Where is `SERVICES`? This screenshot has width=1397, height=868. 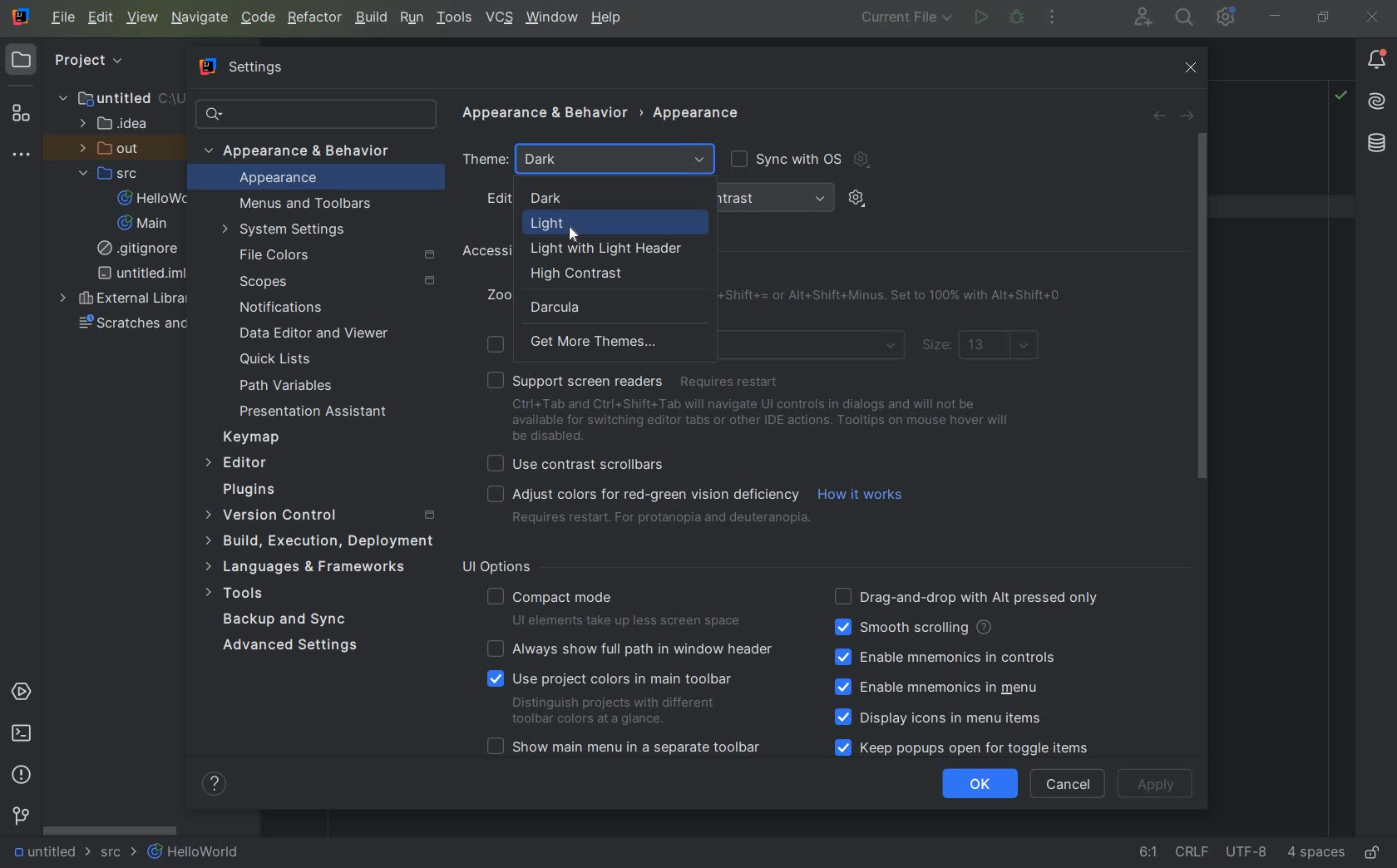 SERVICES is located at coordinates (22, 693).